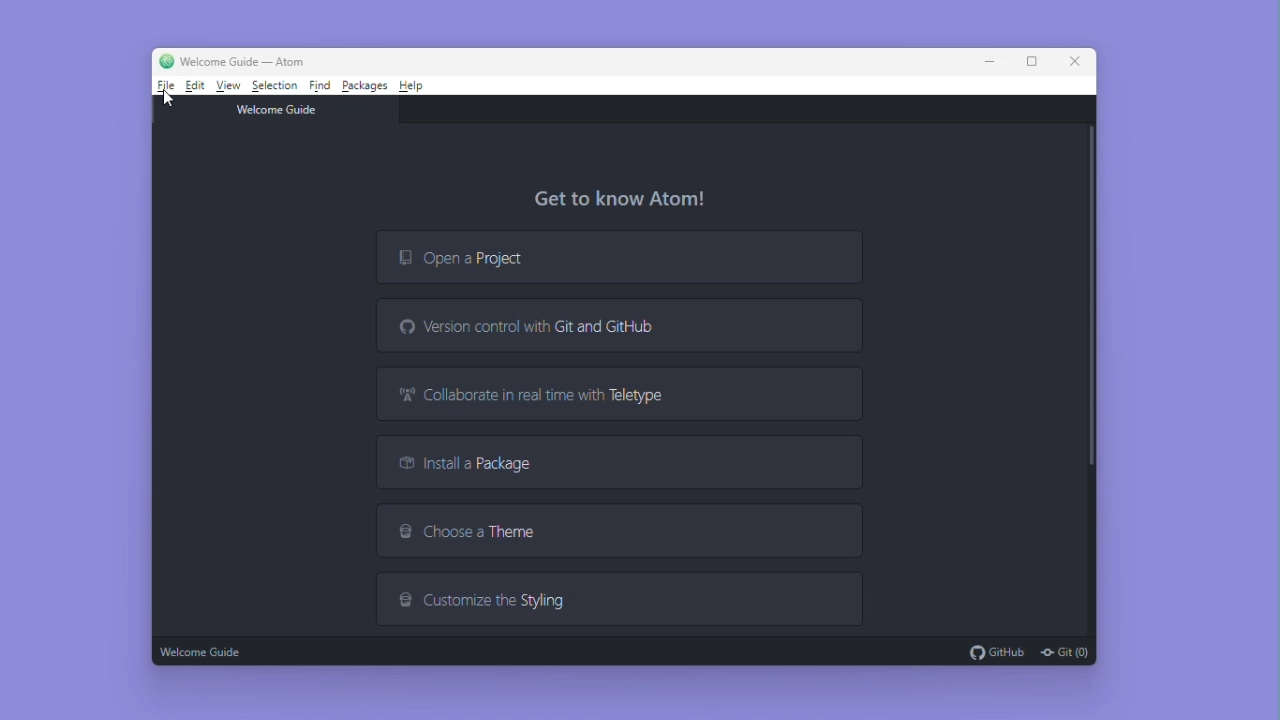 Image resolution: width=1280 pixels, height=720 pixels. I want to click on Welcome guide, so click(204, 650).